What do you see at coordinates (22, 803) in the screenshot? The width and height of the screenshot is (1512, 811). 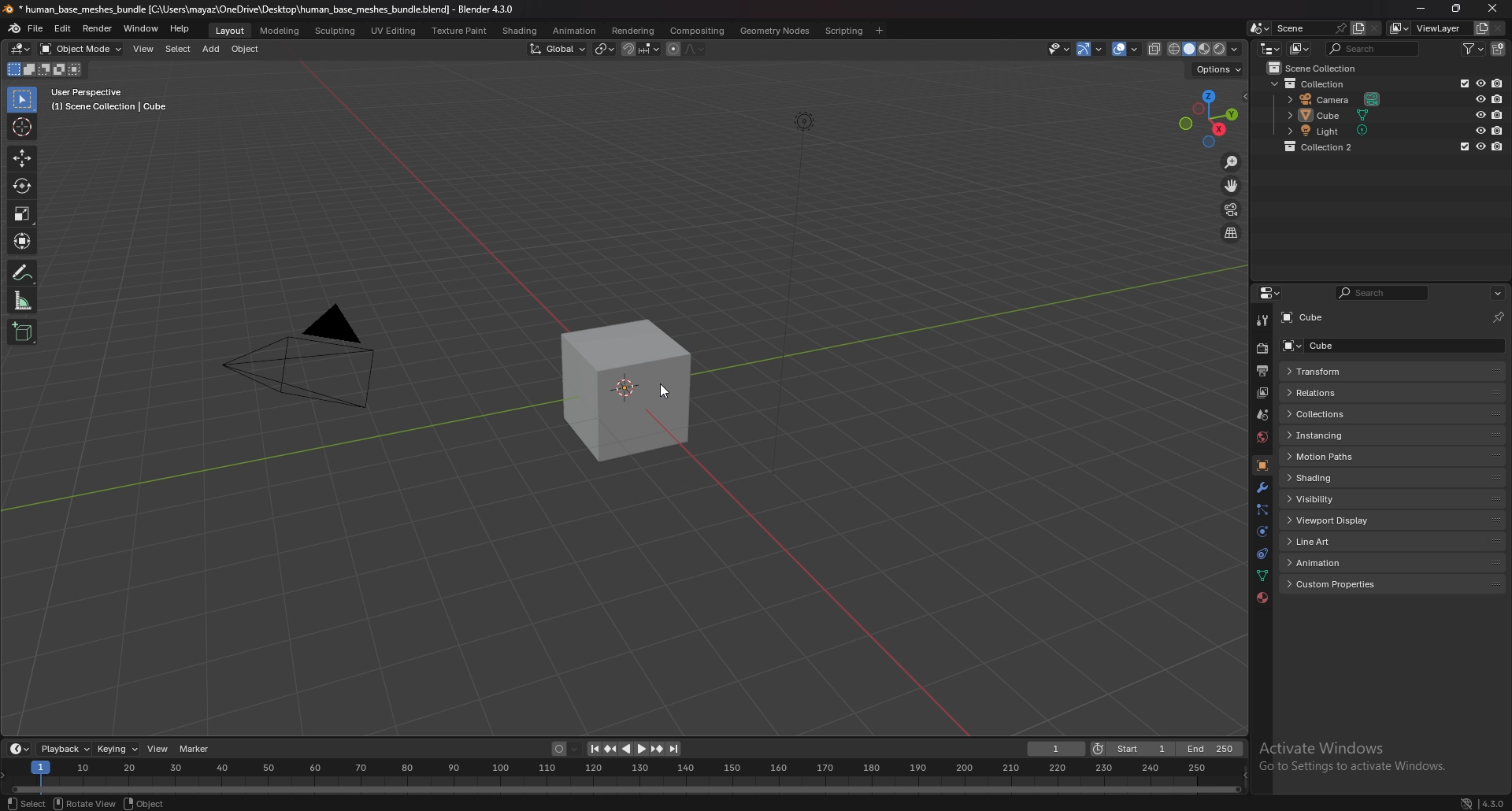 I see `object` at bounding box center [22, 803].